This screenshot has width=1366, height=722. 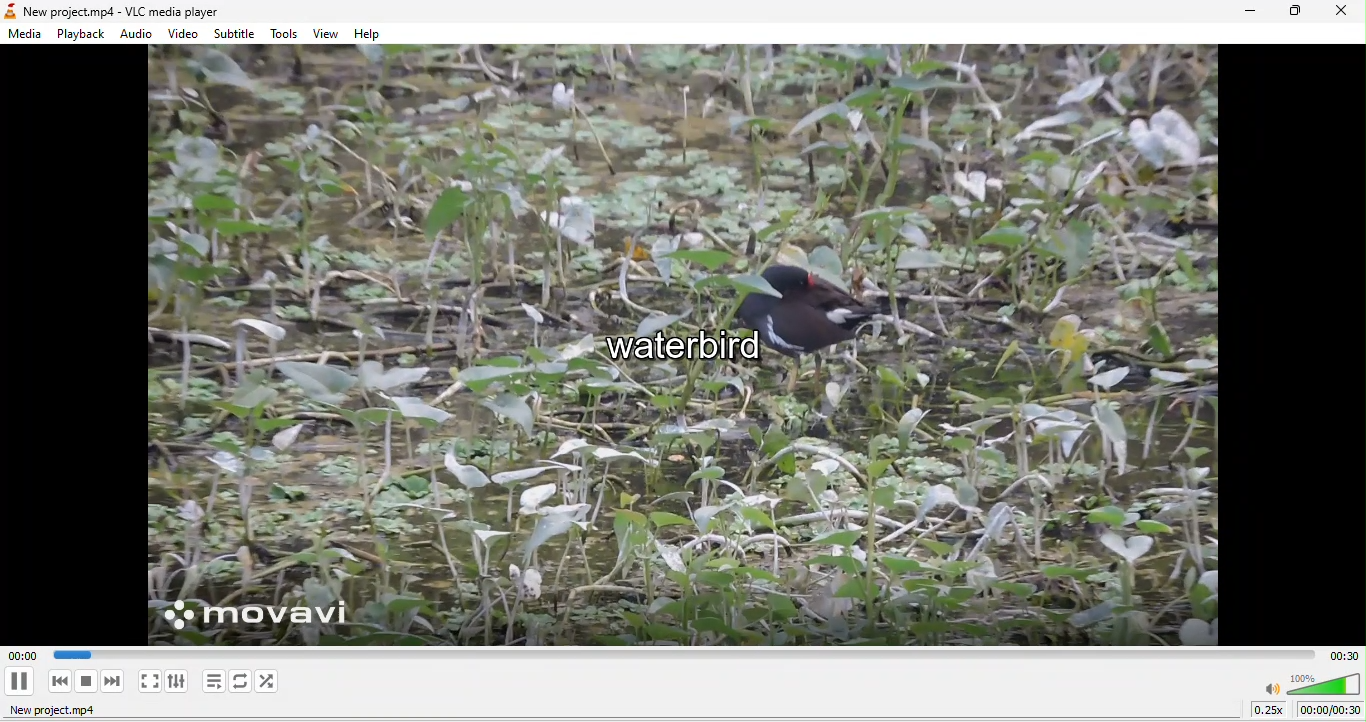 What do you see at coordinates (149, 681) in the screenshot?
I see `video in fullscreen` at bounding box center [149, 681].